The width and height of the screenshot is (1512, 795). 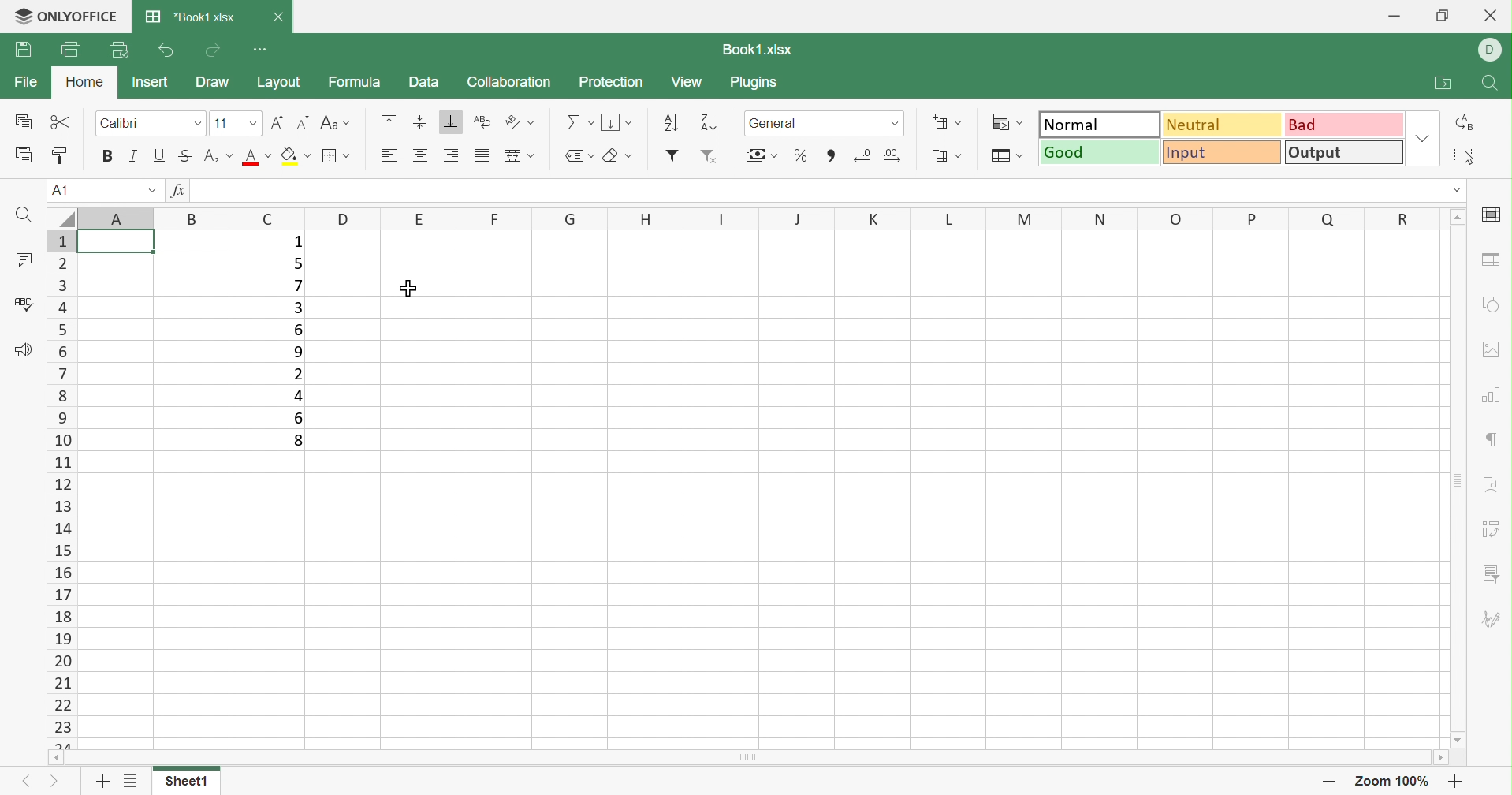 What do you see at coordinates (296, 441) in the screenshot?
I see `8` at bounding box center [296, 441].